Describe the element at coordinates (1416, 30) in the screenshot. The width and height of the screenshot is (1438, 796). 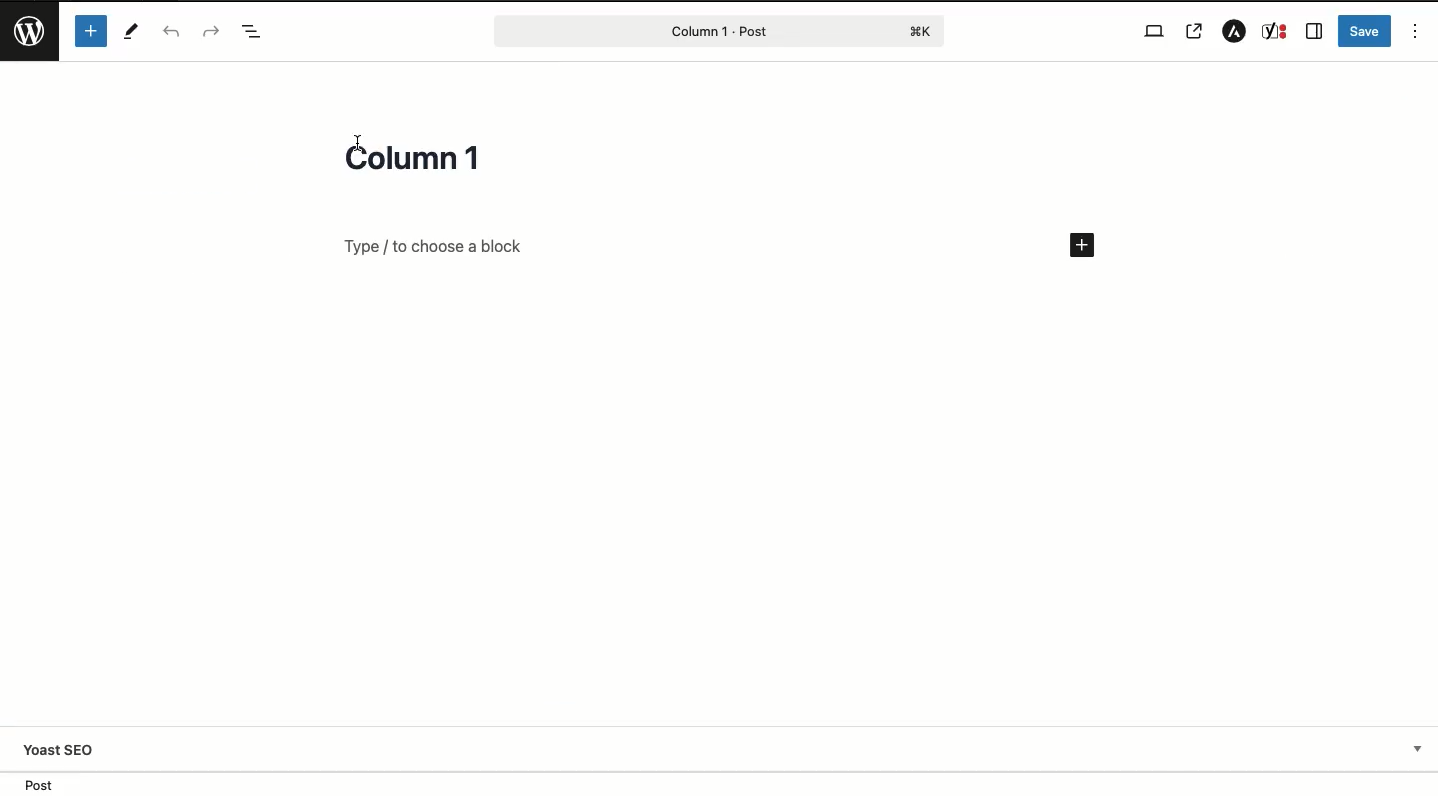
I see `Options` at that location.